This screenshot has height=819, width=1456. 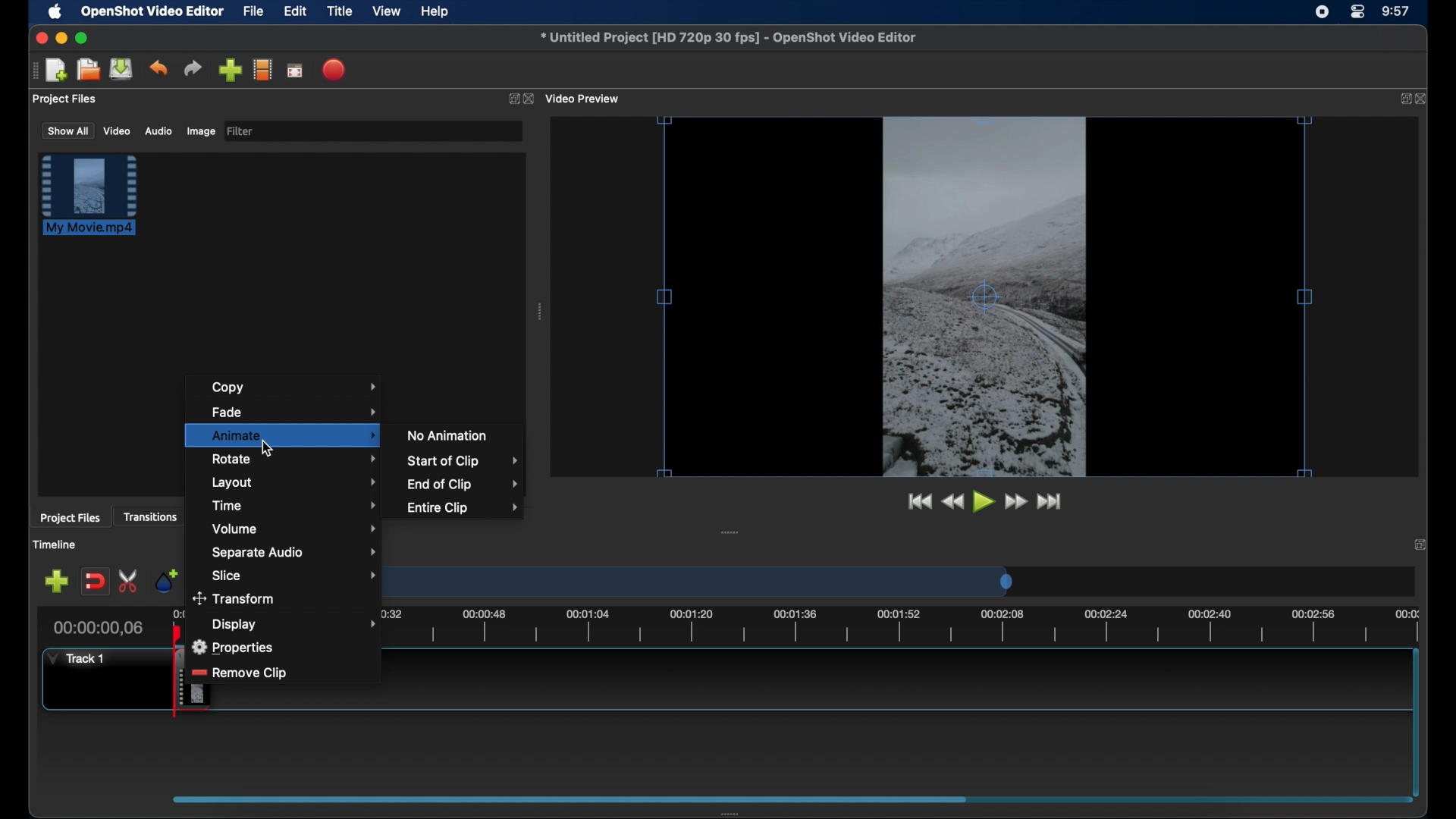 I want to click on close, so click(x=531, y=99).